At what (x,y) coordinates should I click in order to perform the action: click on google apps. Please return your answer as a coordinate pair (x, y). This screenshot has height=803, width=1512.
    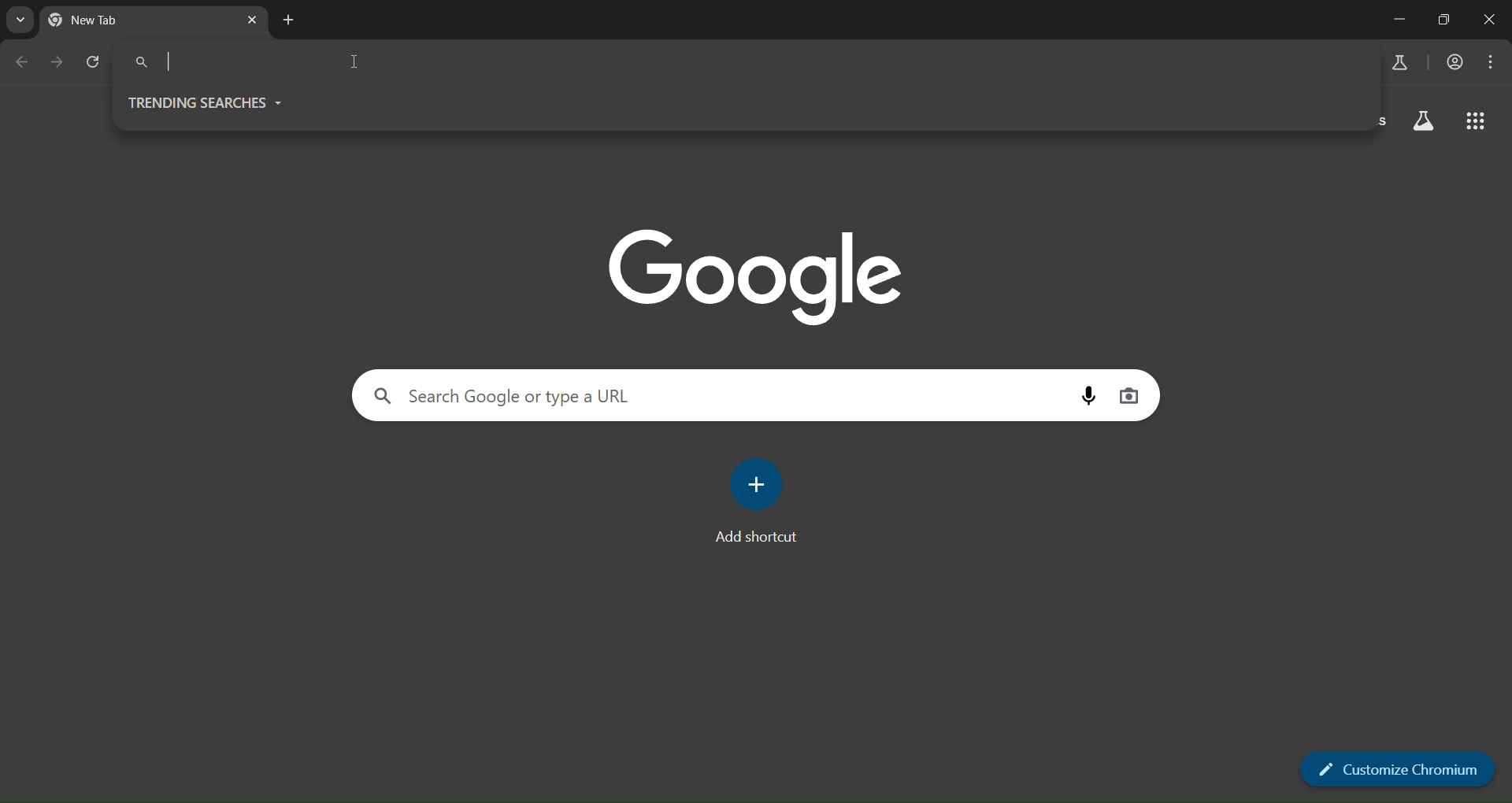
    Looking at the image, I should click on (1477, 120).